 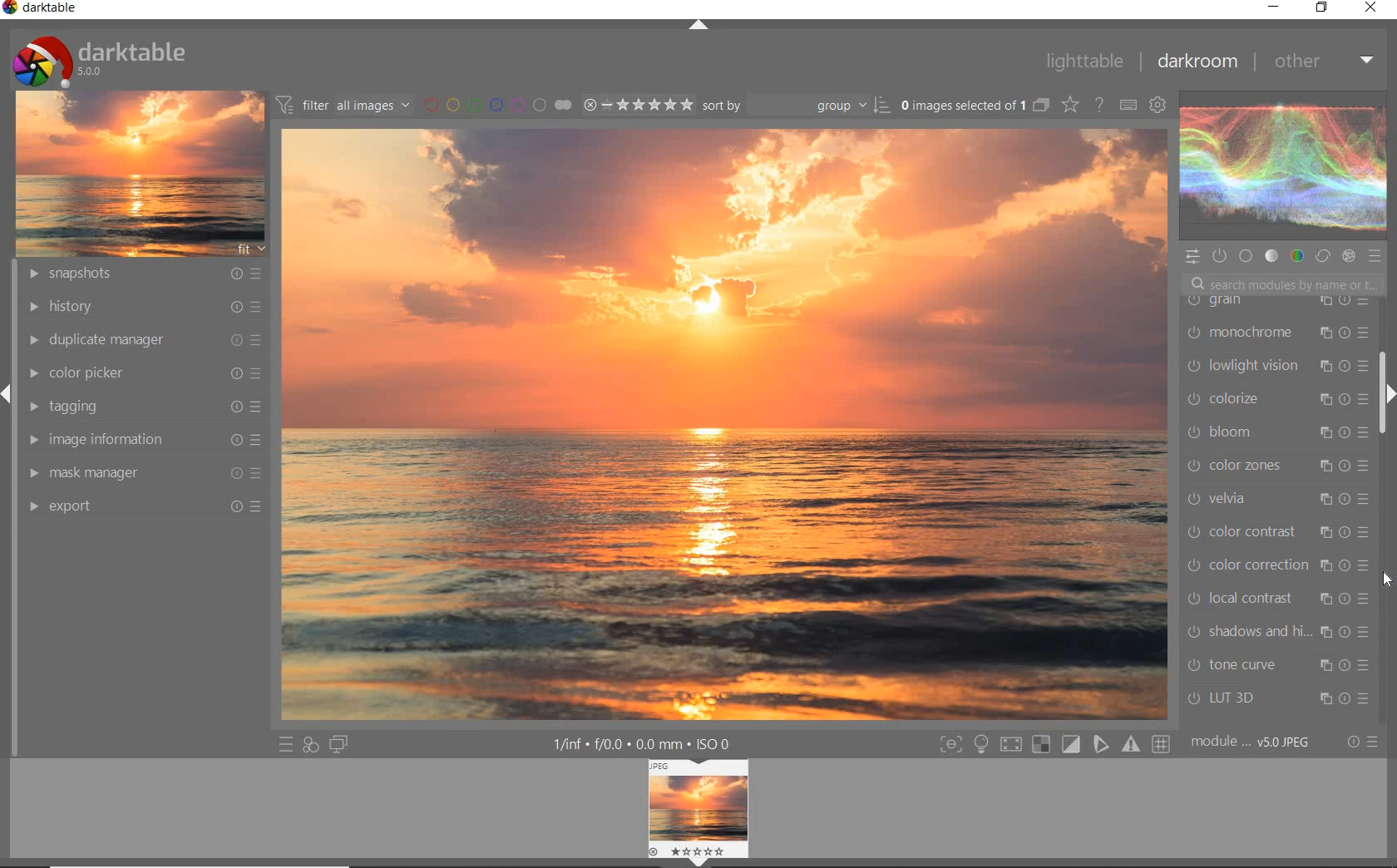 I want to click on PRESET, so click(x=1378, y=260).